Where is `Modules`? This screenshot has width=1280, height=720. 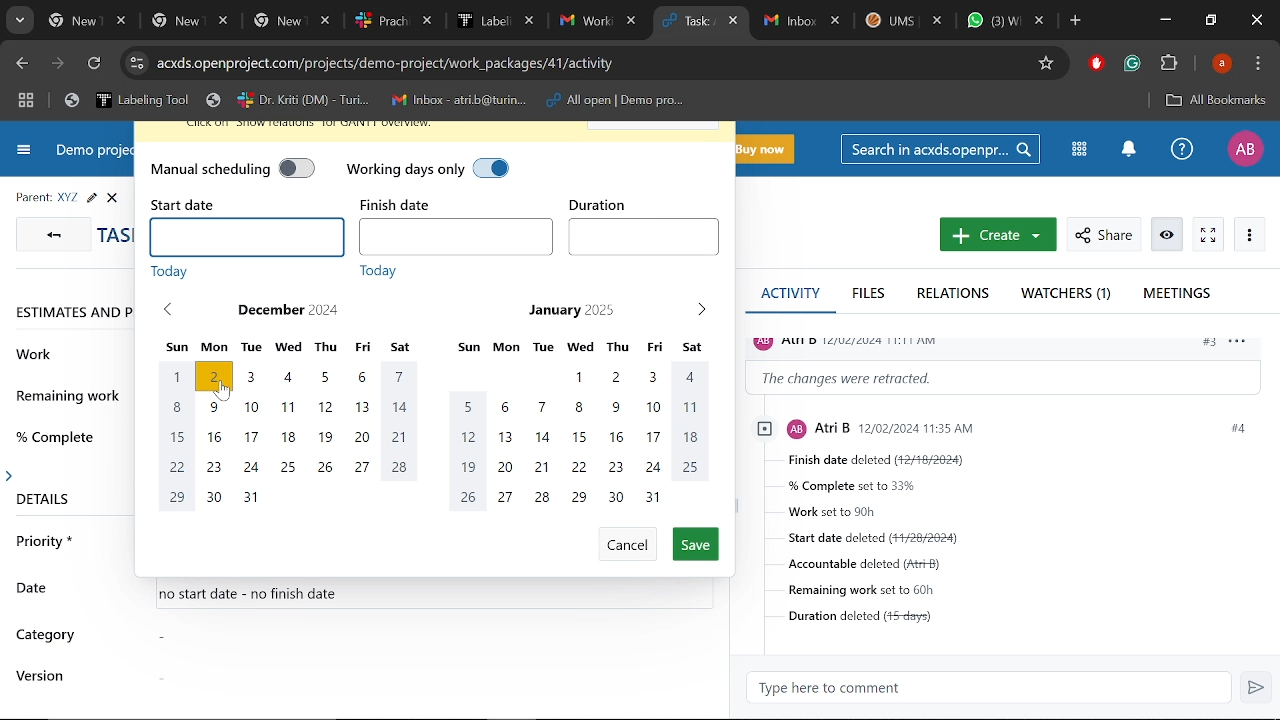 Modules is located at coordinates (1080, 151).